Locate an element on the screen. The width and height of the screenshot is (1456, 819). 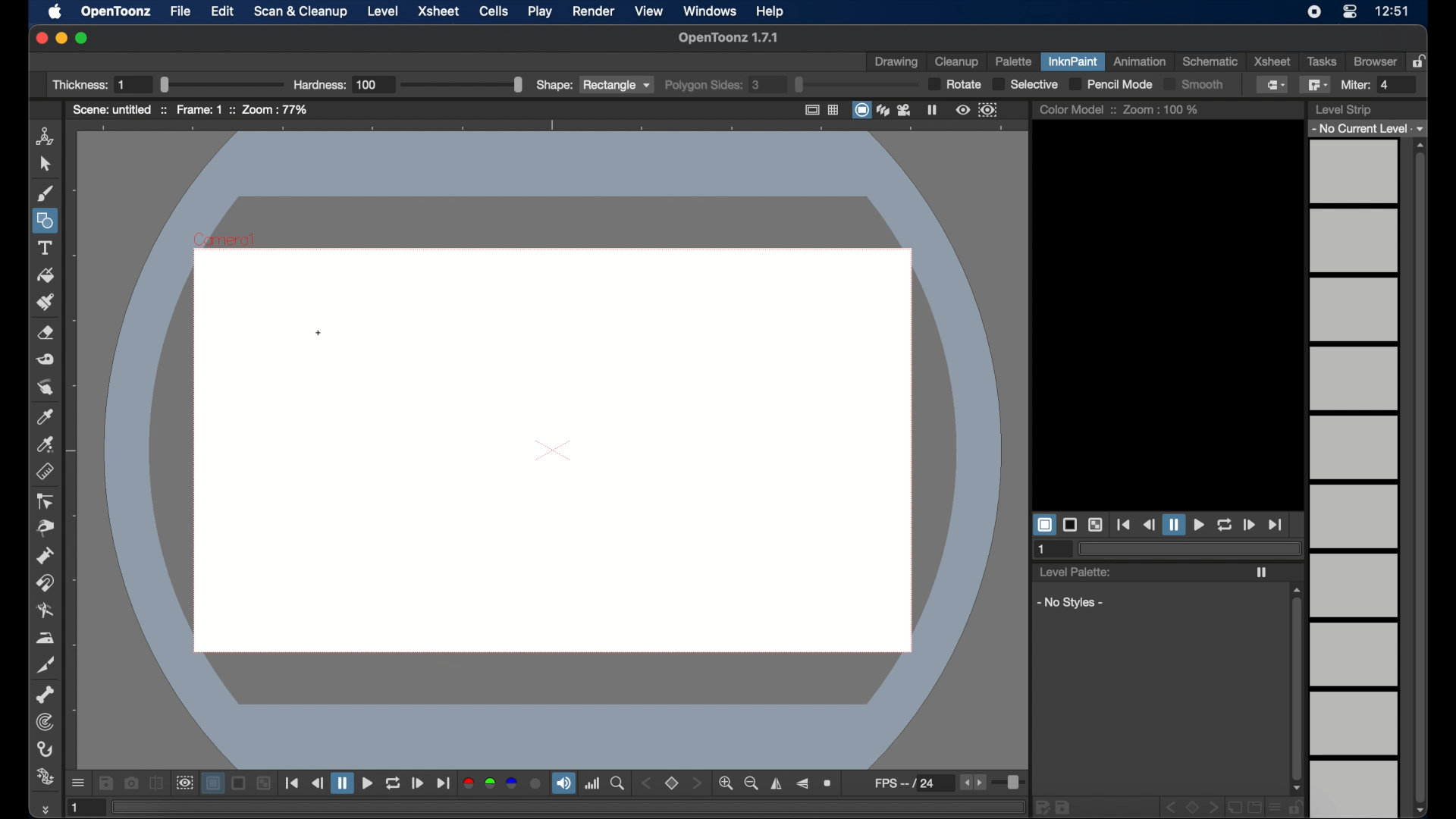
cursor is located at coordinates (318, 334).